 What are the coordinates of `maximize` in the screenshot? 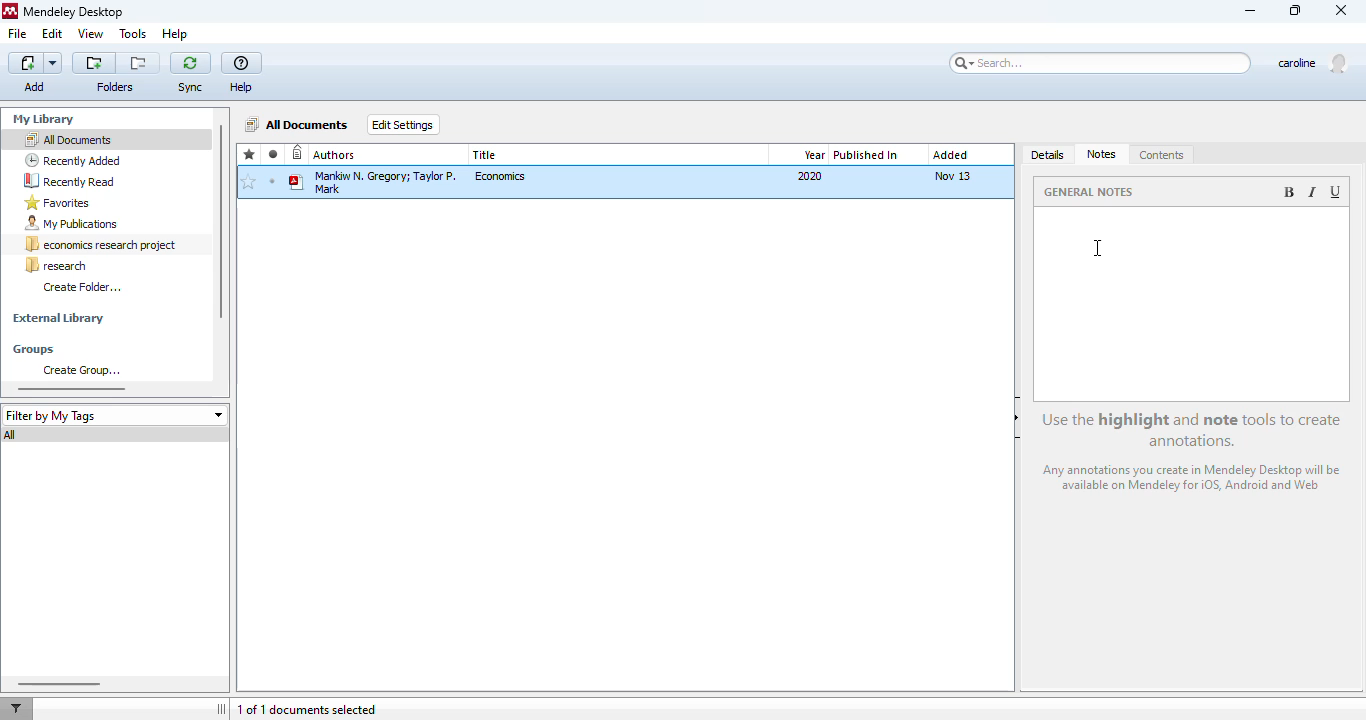 It's located at (1296, 10).